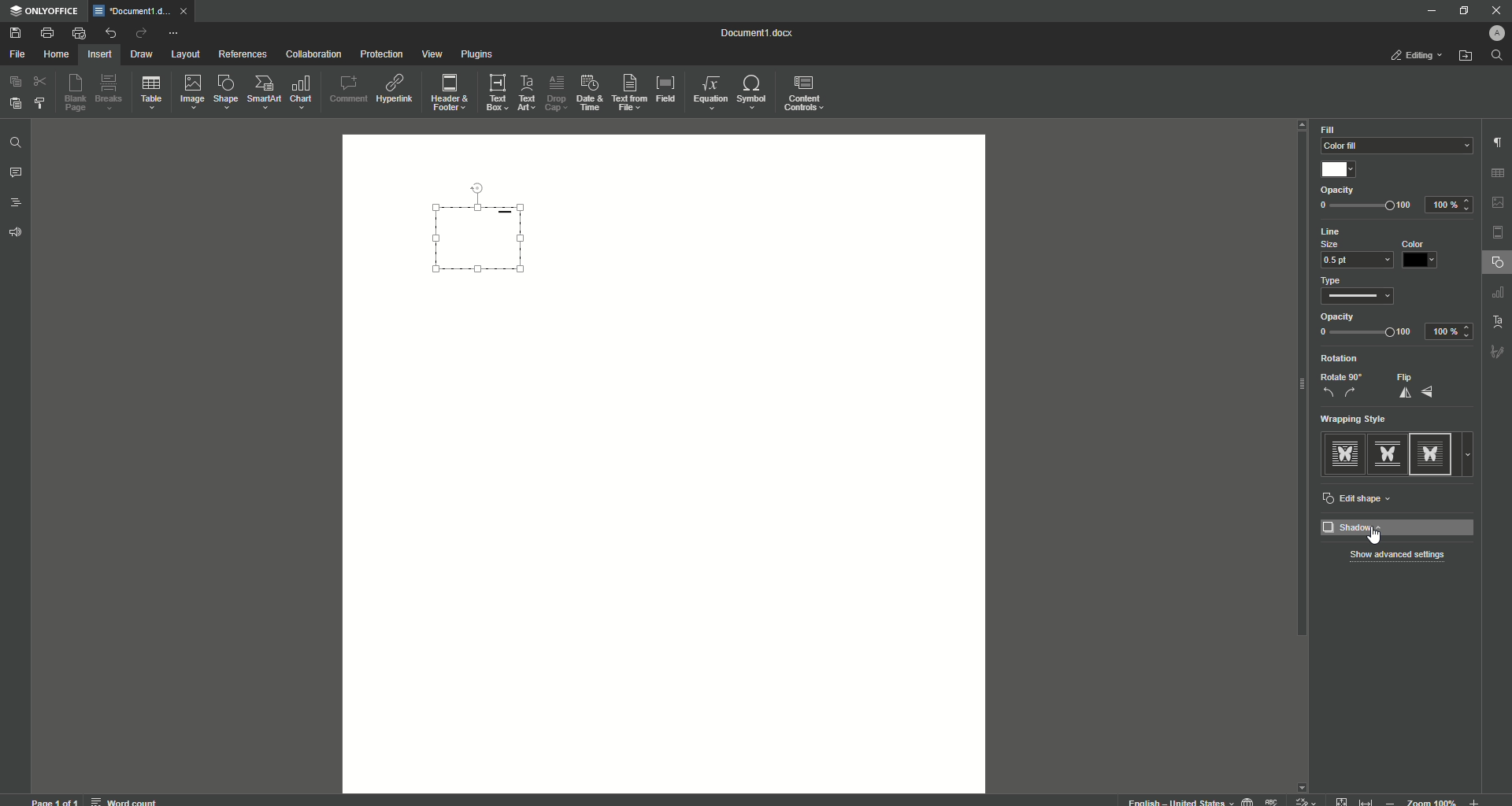  I want to click on Save, so click(17, 34).